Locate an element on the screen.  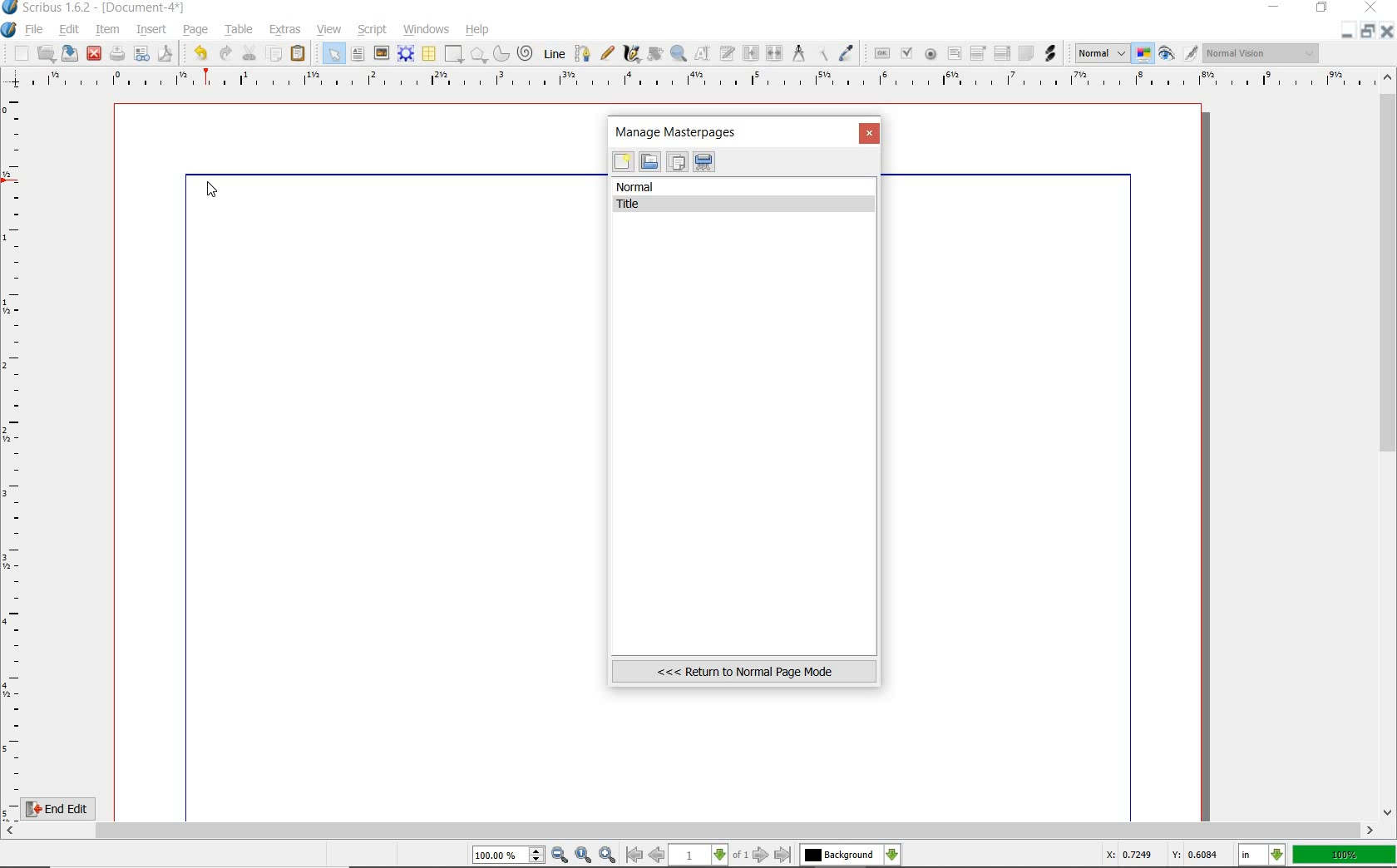
pdf text field is located at coordinates (954, 54).